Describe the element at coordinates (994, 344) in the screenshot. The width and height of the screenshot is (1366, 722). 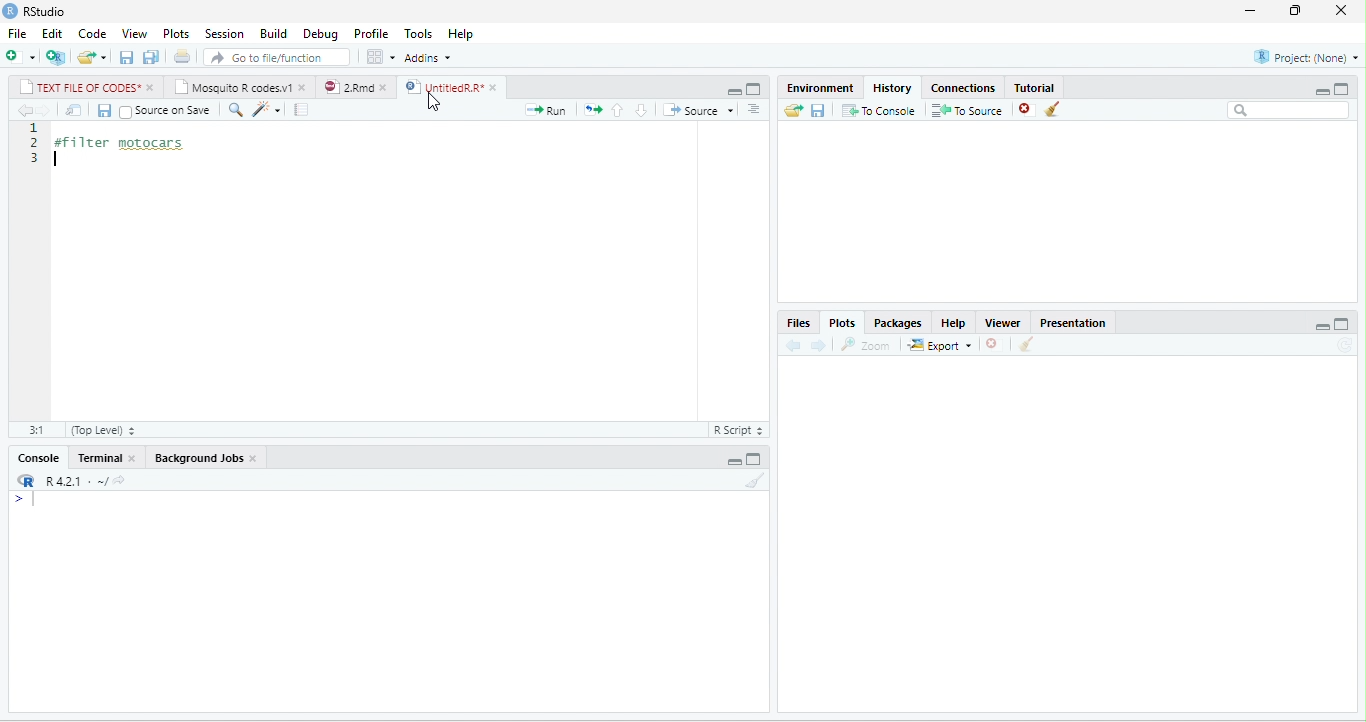
I see `close file` at that location.